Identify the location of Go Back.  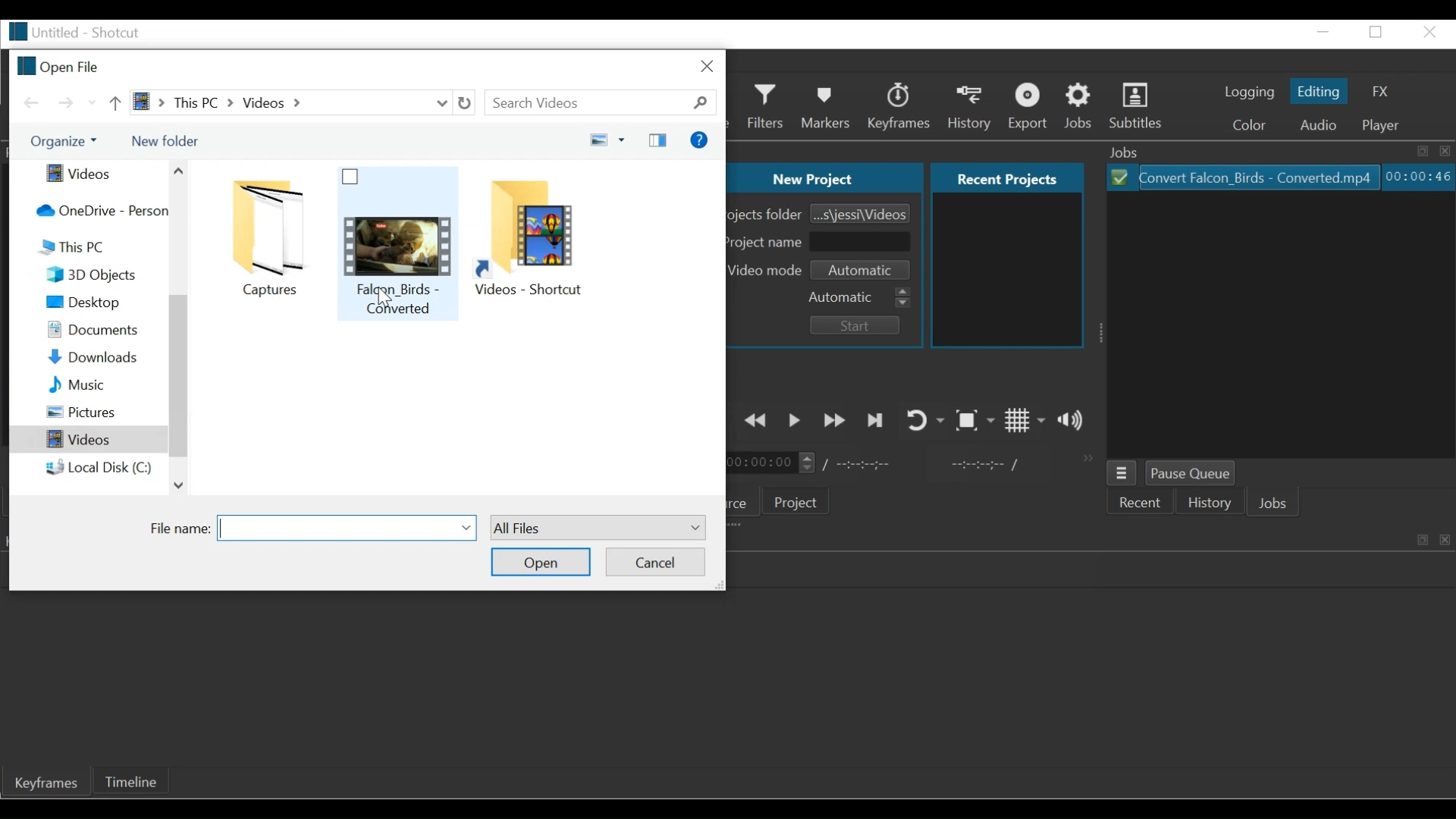
(35, 102).